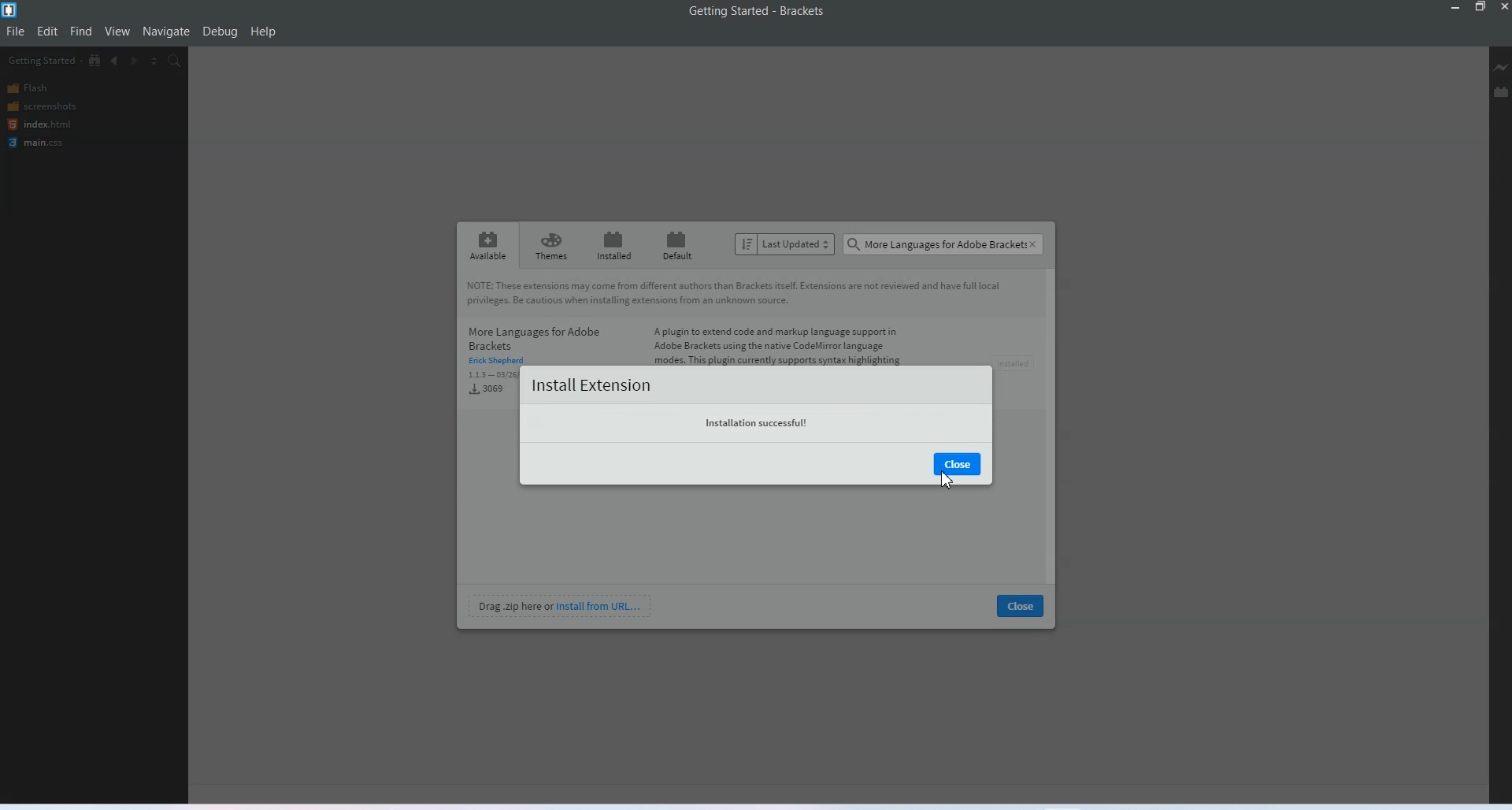 Image resolution: width=1512 pixels, height=810 pixels. I want to click on Show in the file tree, so click(96, 60).